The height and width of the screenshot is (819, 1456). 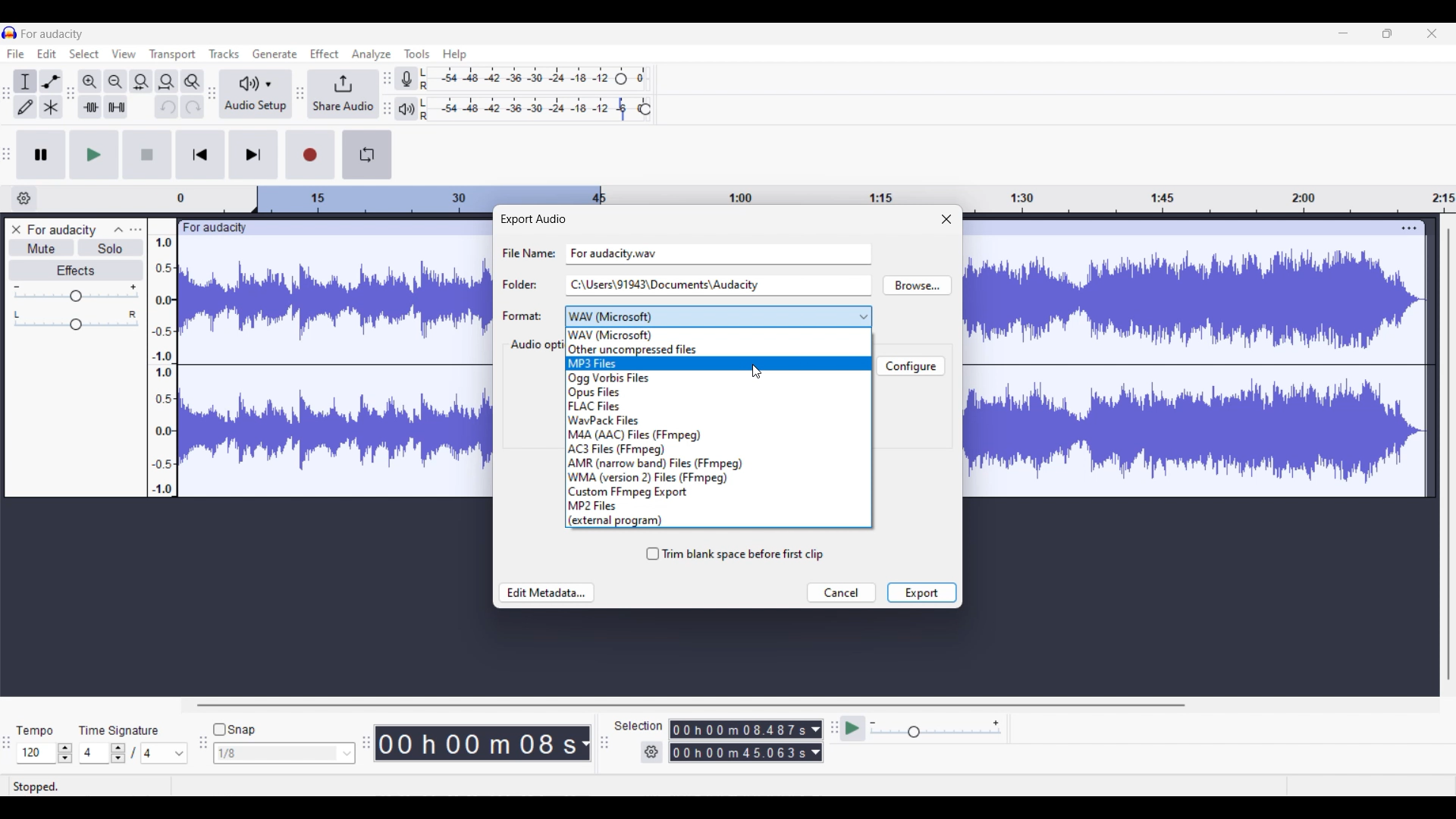 I want to click on Cancel, so click(x=841, y=593).